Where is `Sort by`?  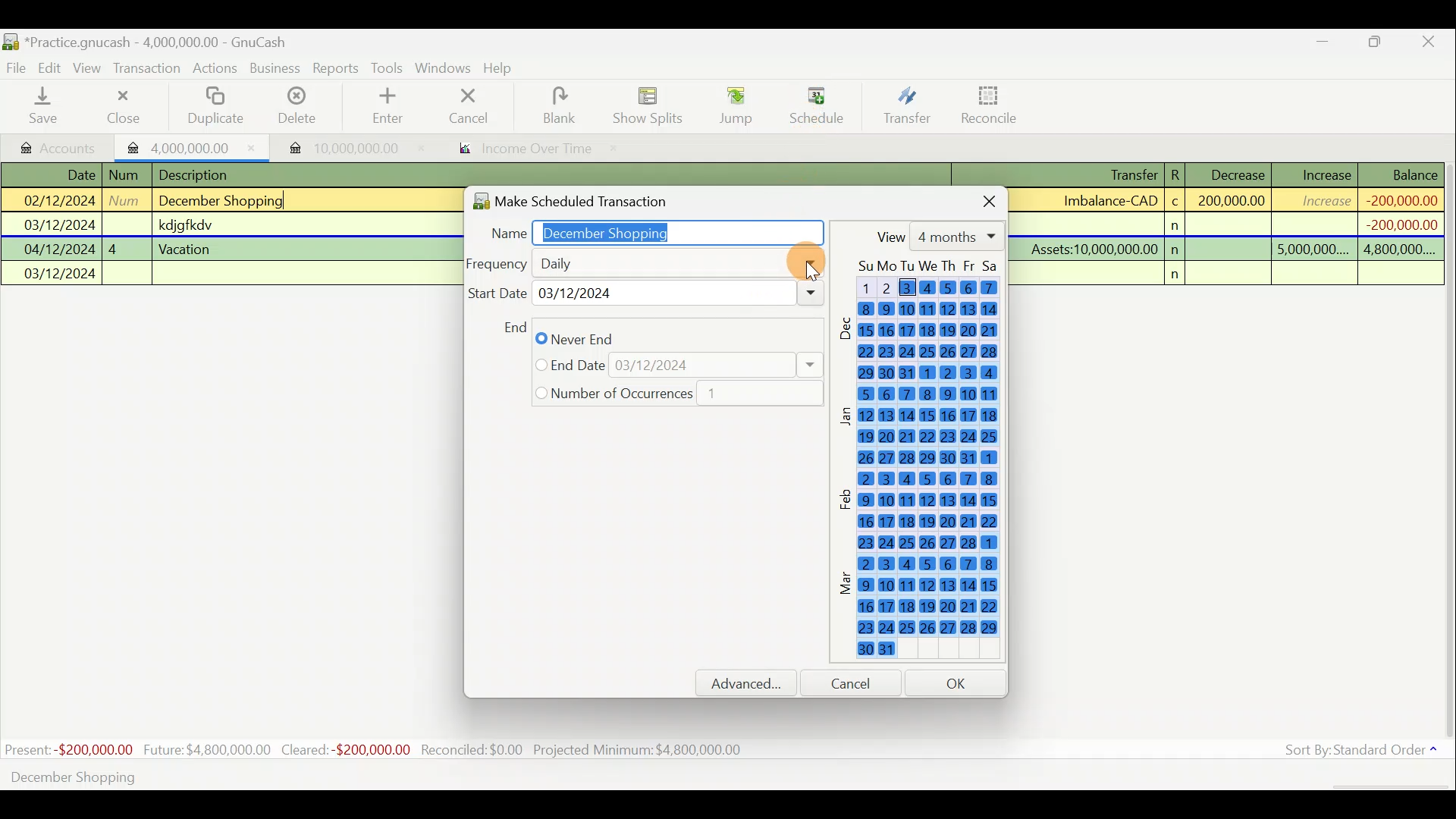
Sort by is located at coordinates (1364, 753).